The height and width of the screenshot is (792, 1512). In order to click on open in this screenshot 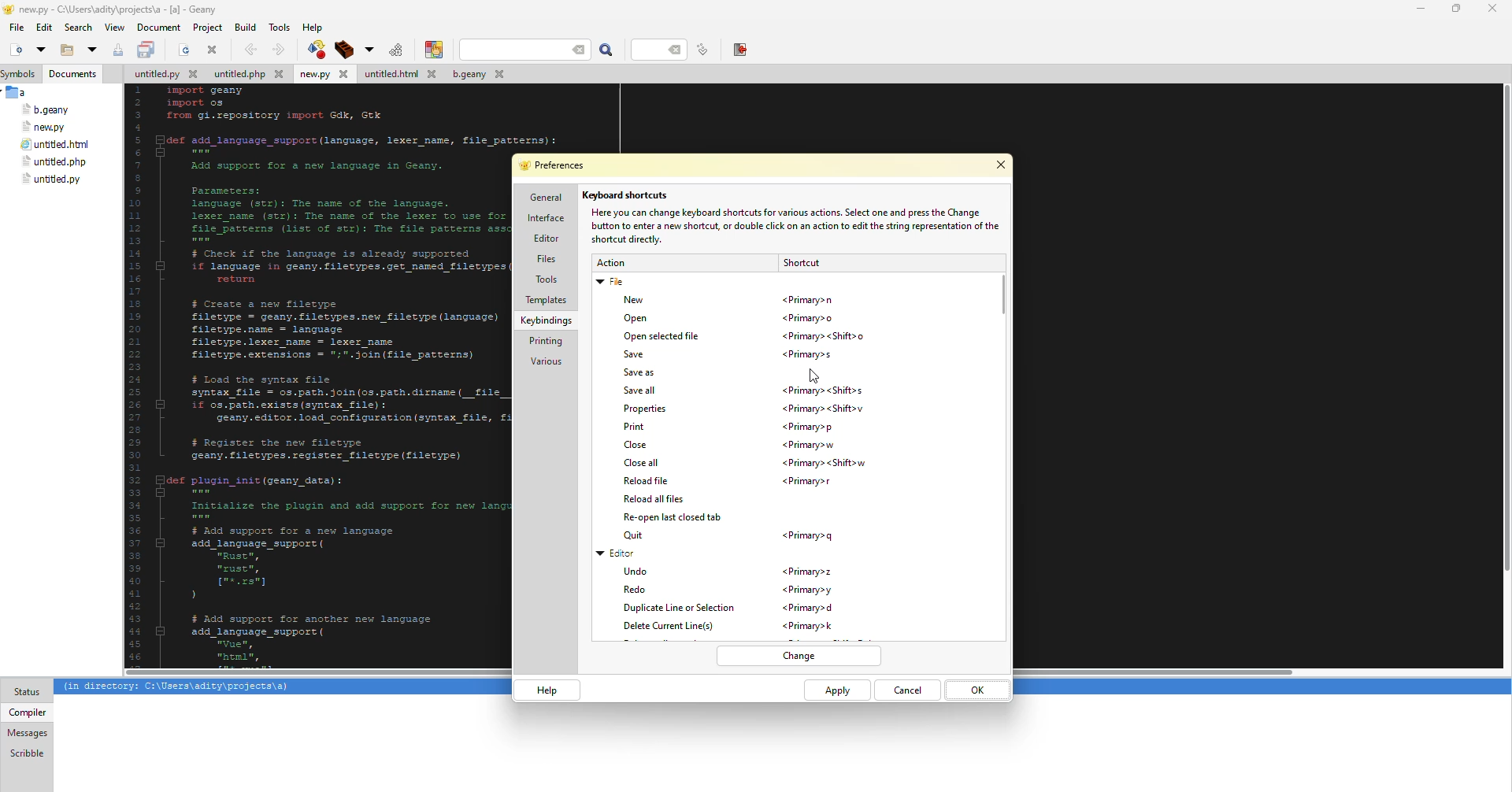, I will do `click(39, 49)`.